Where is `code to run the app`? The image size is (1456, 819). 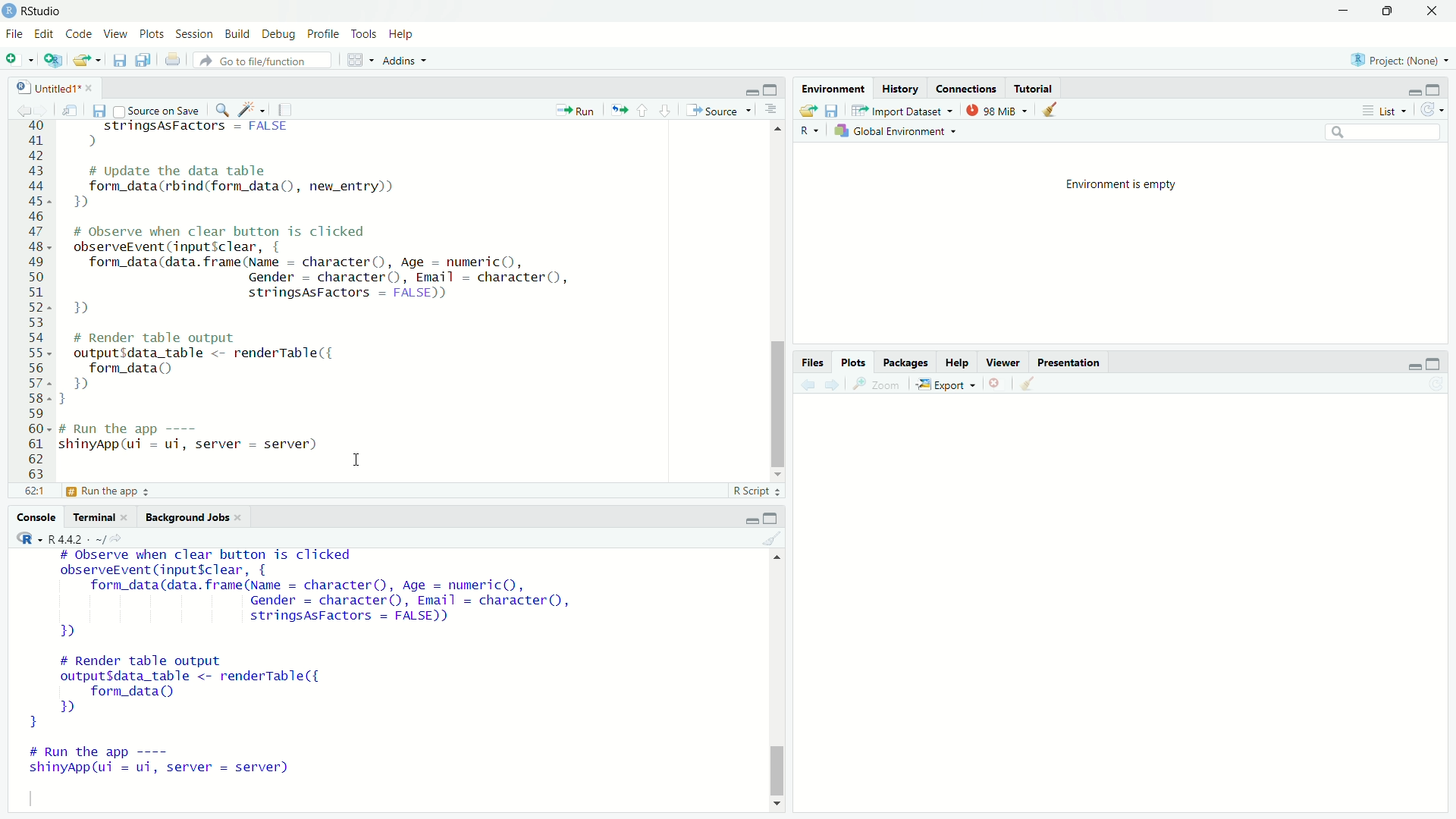 code to run the app is located at coordinates (180, 765).